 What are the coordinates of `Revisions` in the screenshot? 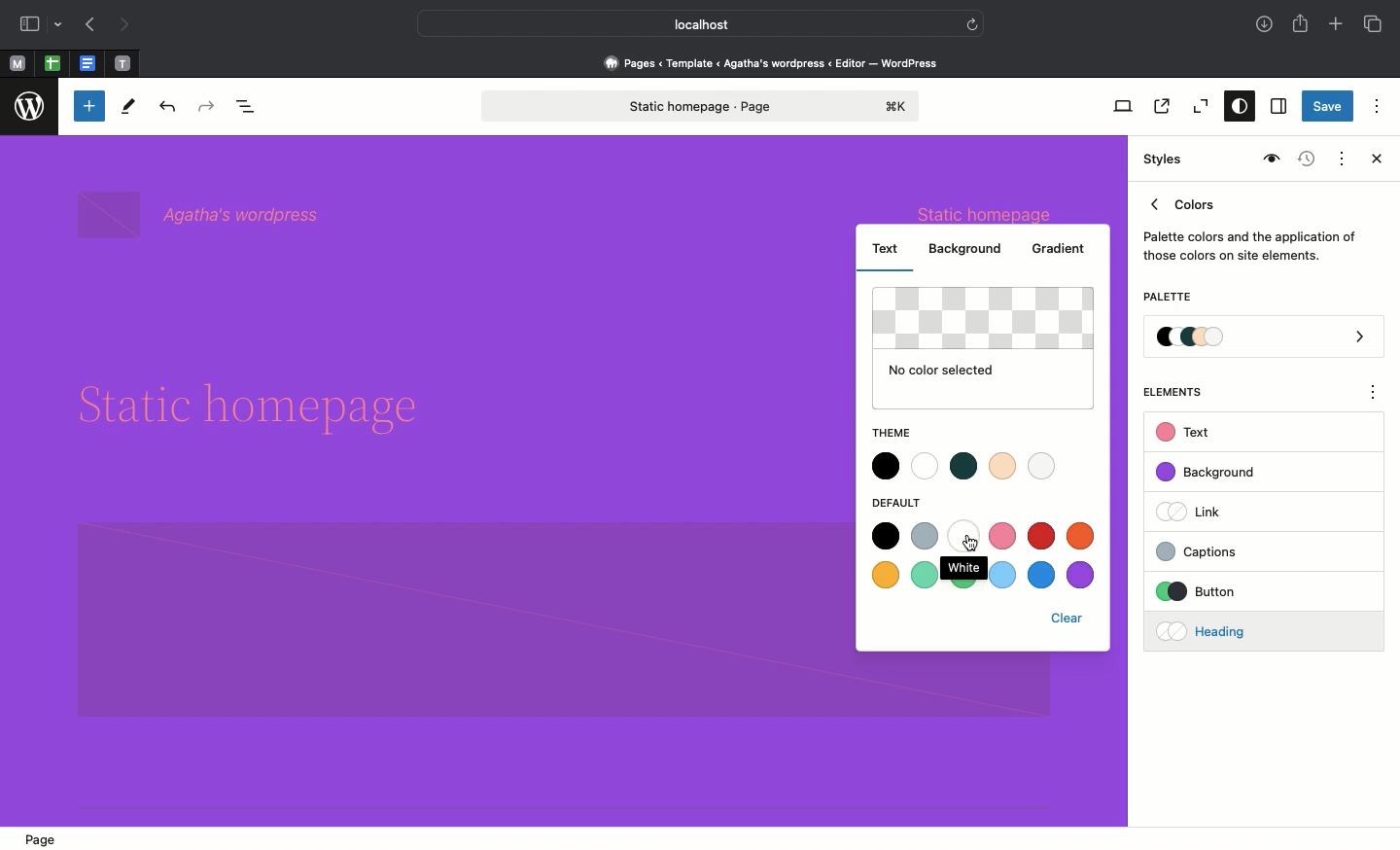 It's located at (1304, 160).